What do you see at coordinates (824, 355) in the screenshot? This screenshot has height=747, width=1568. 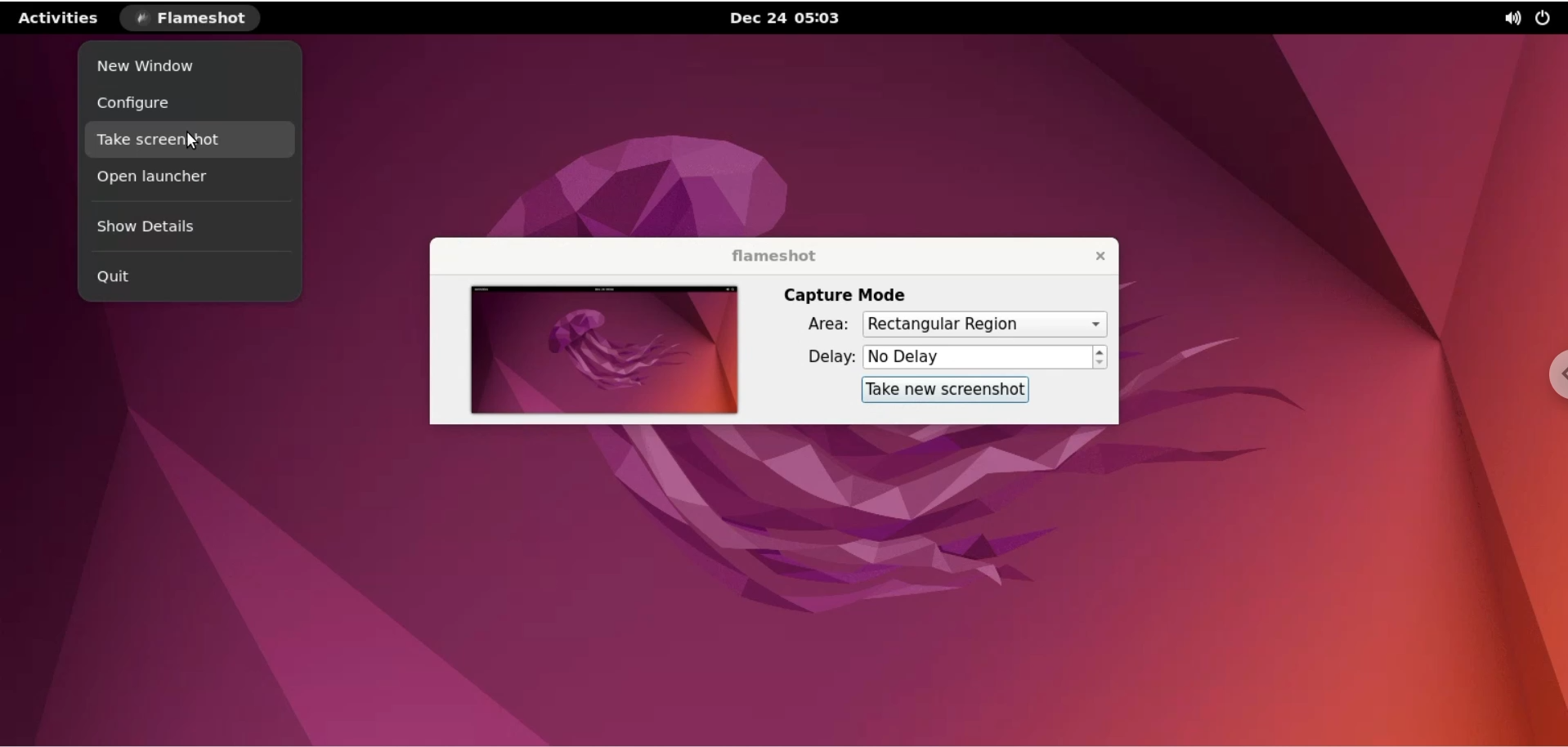 I see `delay:` at bounding box center [824, 355].